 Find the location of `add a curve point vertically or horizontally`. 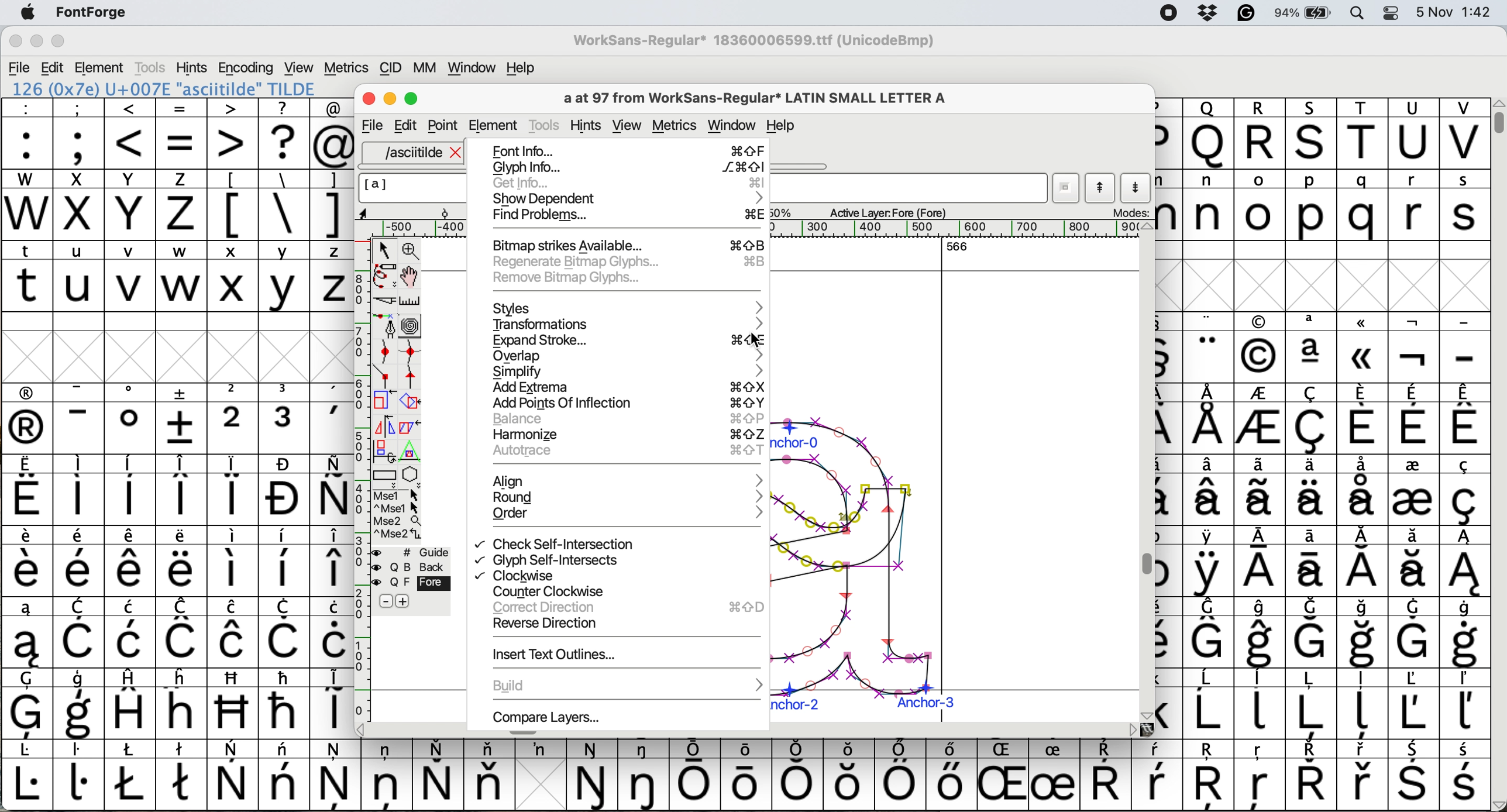

add a curve point vertically or horizontally is located at coordinates (414, 352).